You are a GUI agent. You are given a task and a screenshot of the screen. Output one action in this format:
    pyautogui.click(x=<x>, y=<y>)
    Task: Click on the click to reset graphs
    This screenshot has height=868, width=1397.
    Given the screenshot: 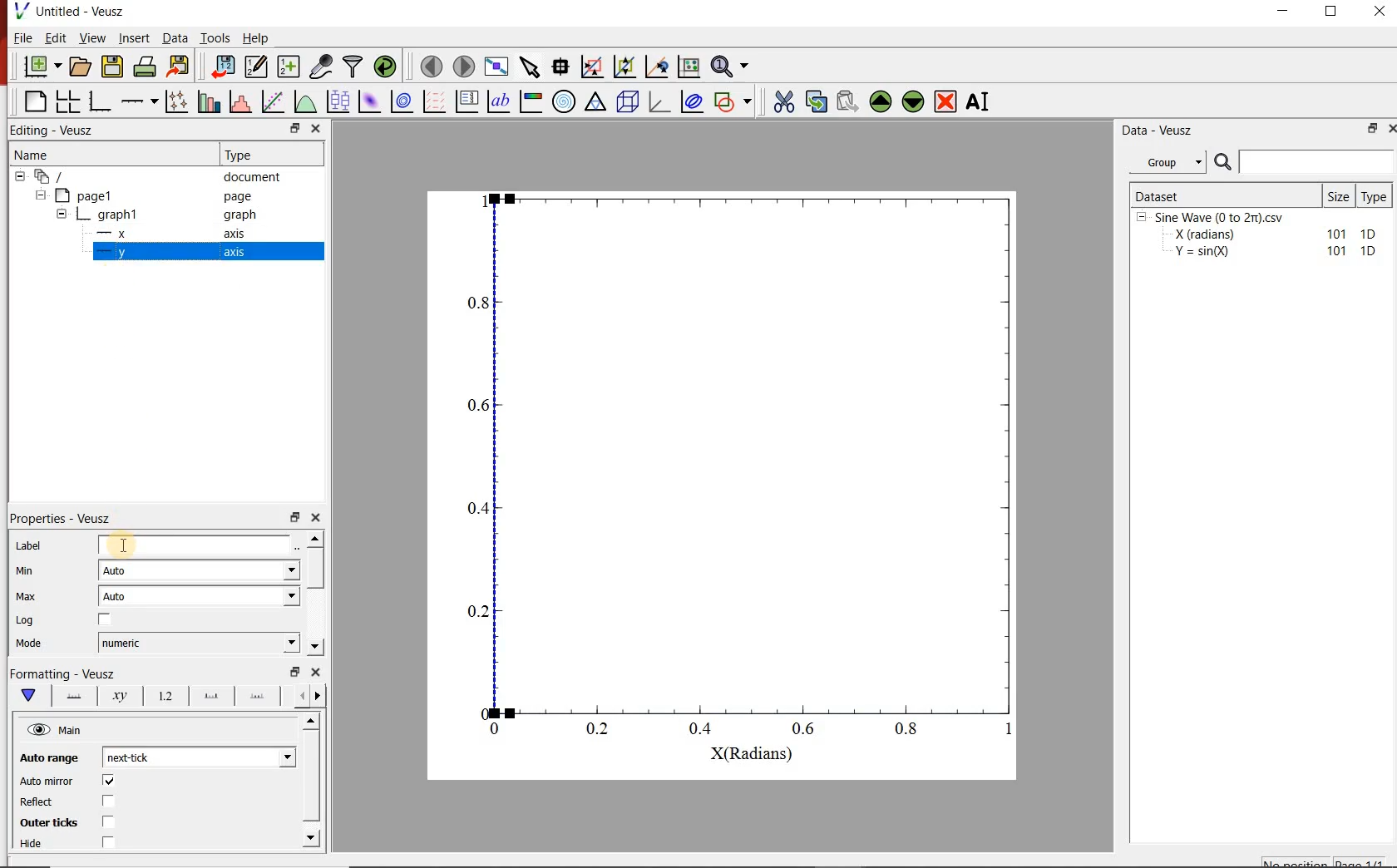 What is the action you would take?
    pyautogui.click(x=689, y=66)
    